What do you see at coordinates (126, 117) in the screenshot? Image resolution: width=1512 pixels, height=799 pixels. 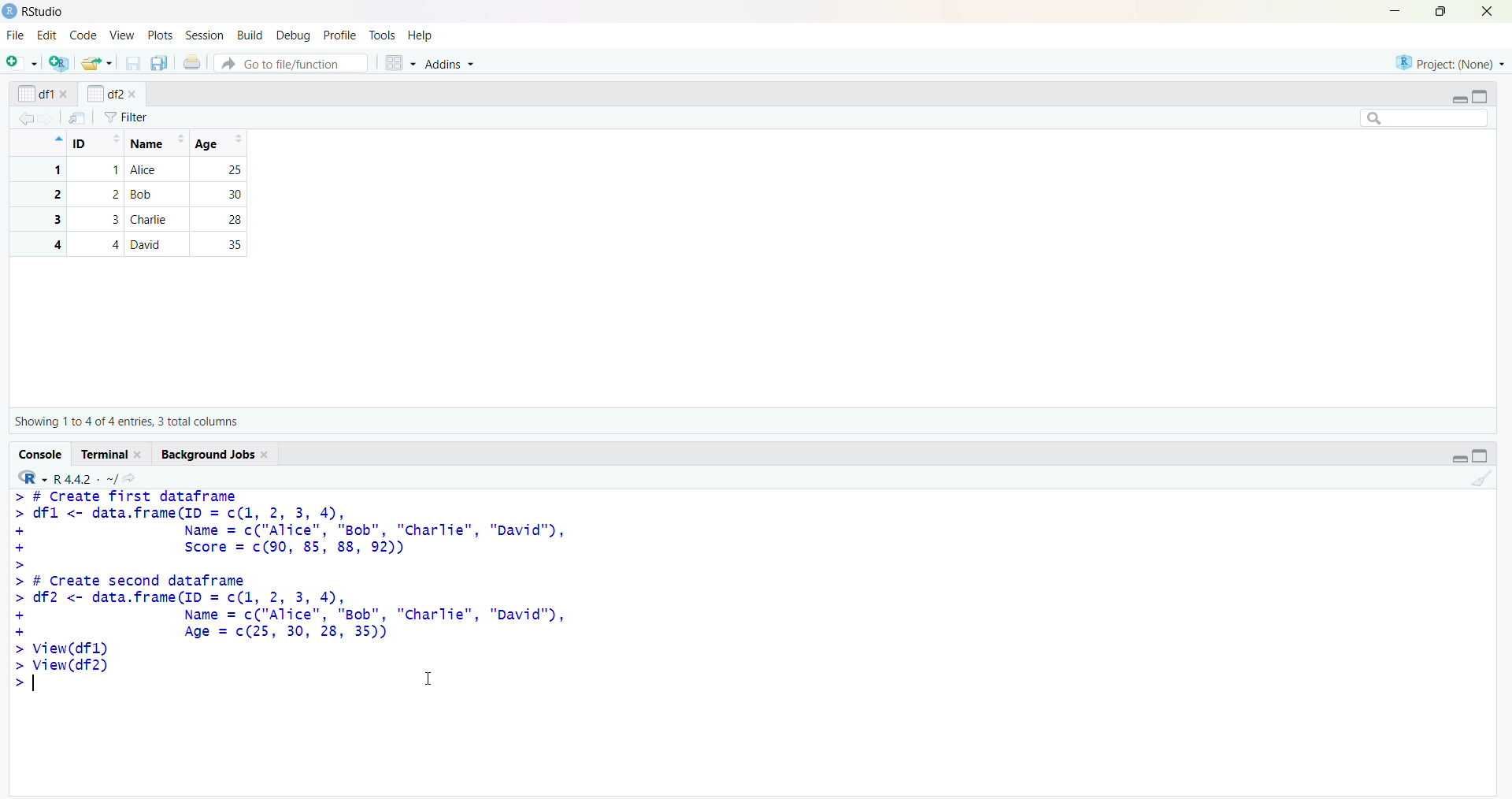 I see `Filter` at bounding box center [126, 117].